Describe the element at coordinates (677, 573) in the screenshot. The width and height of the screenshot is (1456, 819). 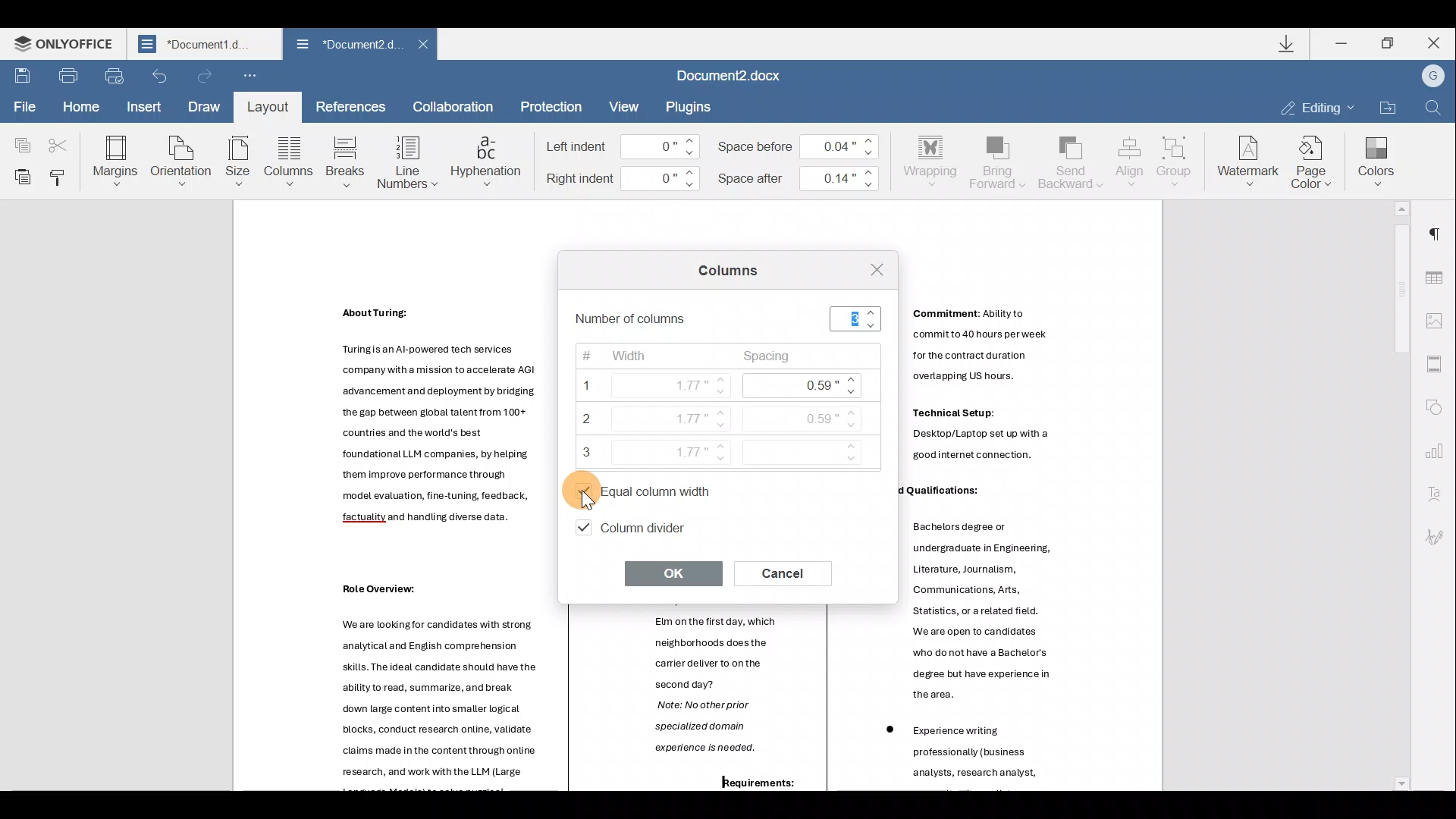
I see `OK` at that location.